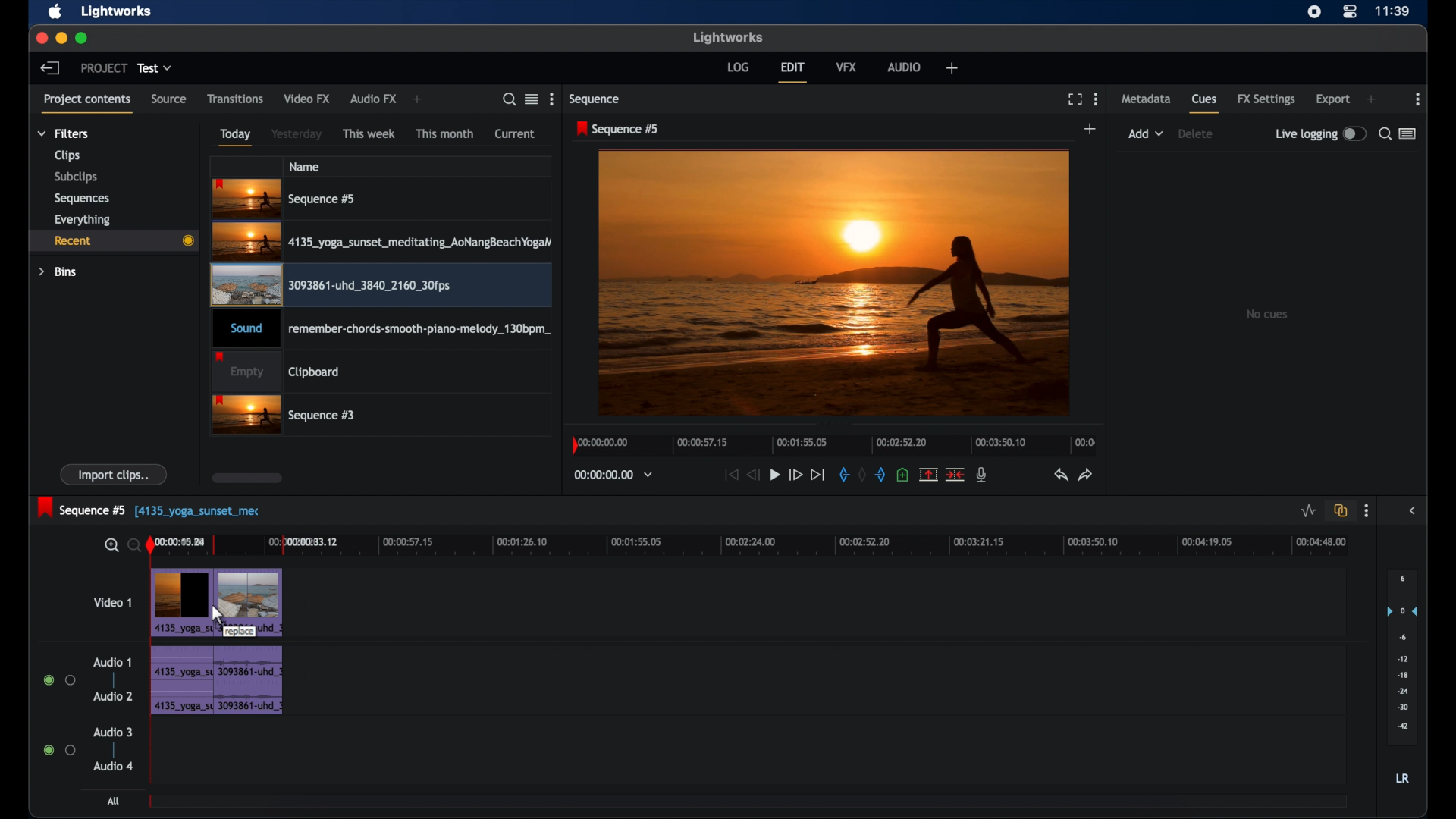 This screenshot has width=1456, height=819. What do you see at coordinates (1145, 99) in the screenshot?
I see `metadata` at bounding box center [1145, 99].